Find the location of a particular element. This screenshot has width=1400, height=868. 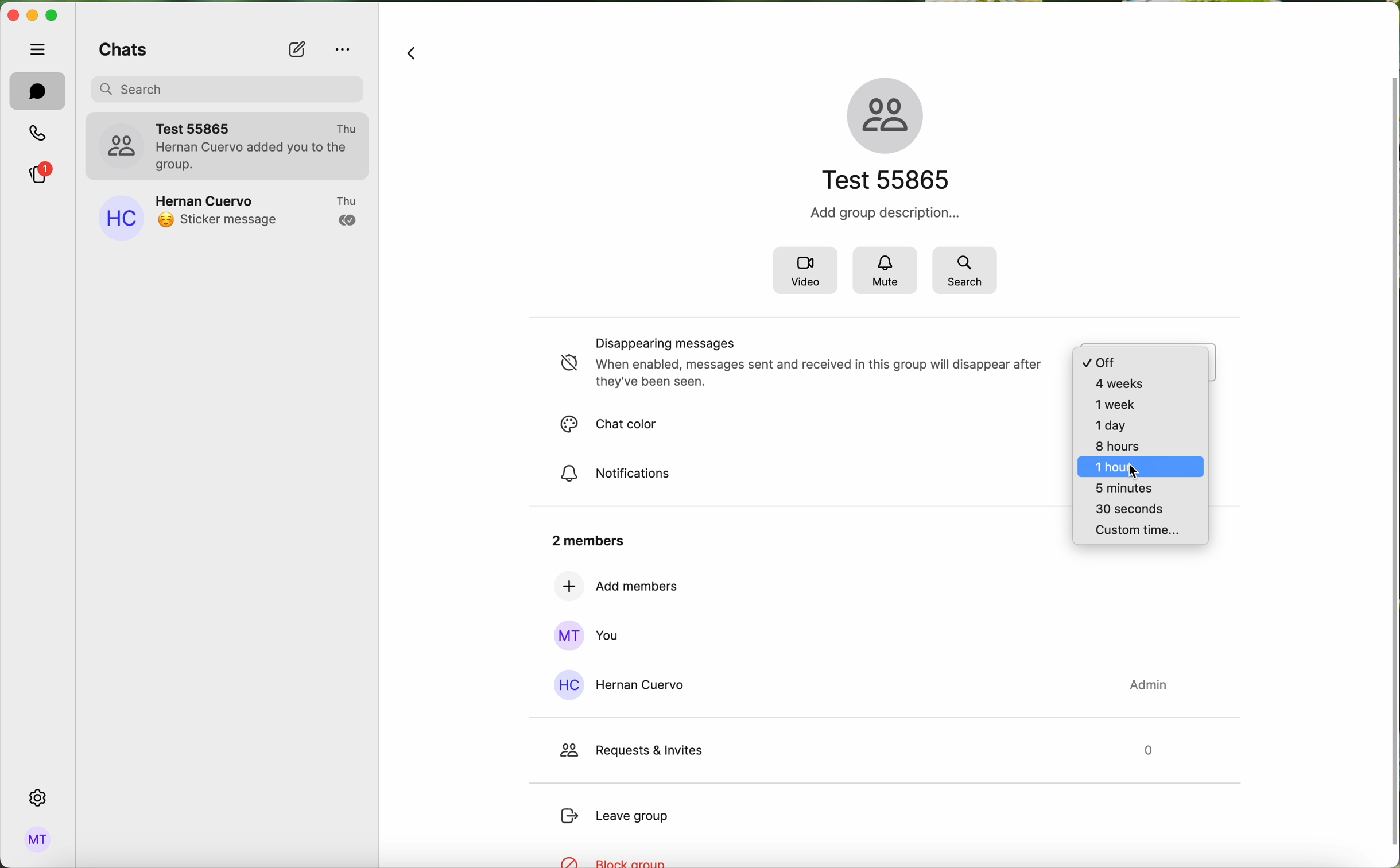

profile is located at coordinates (38, 841).